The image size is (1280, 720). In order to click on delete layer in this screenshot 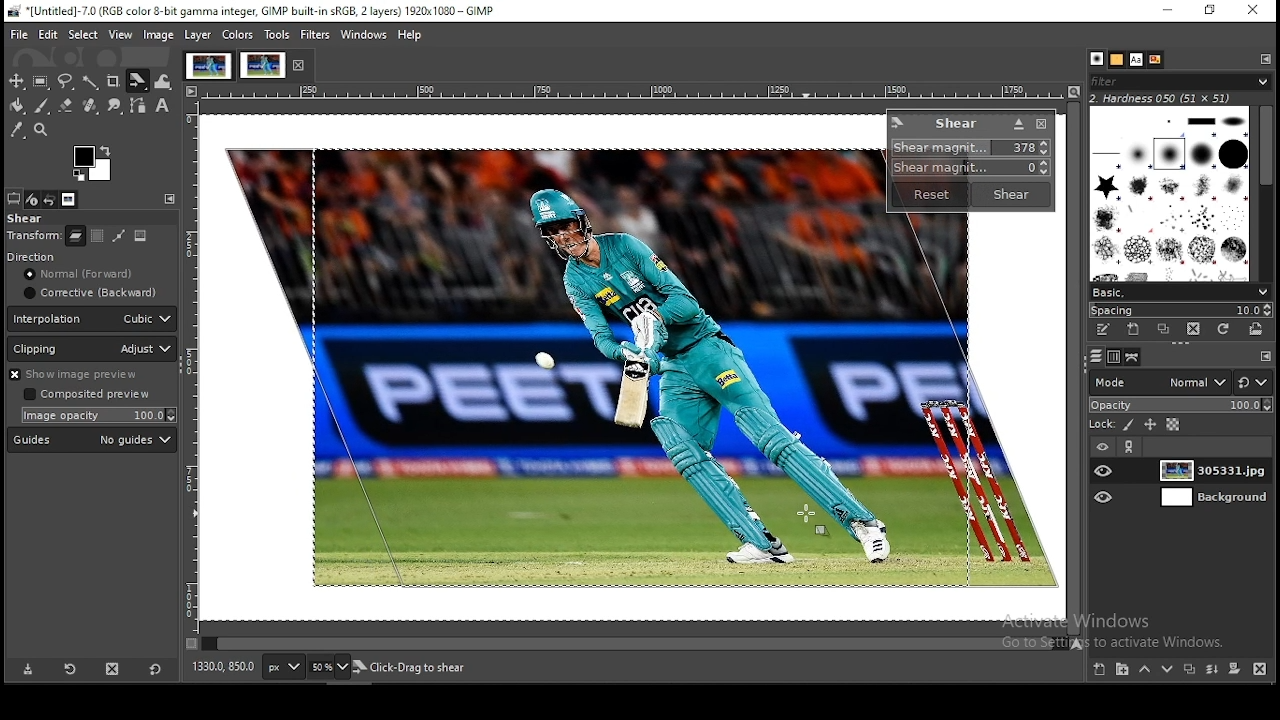, I will do `click(1261, 669)`.